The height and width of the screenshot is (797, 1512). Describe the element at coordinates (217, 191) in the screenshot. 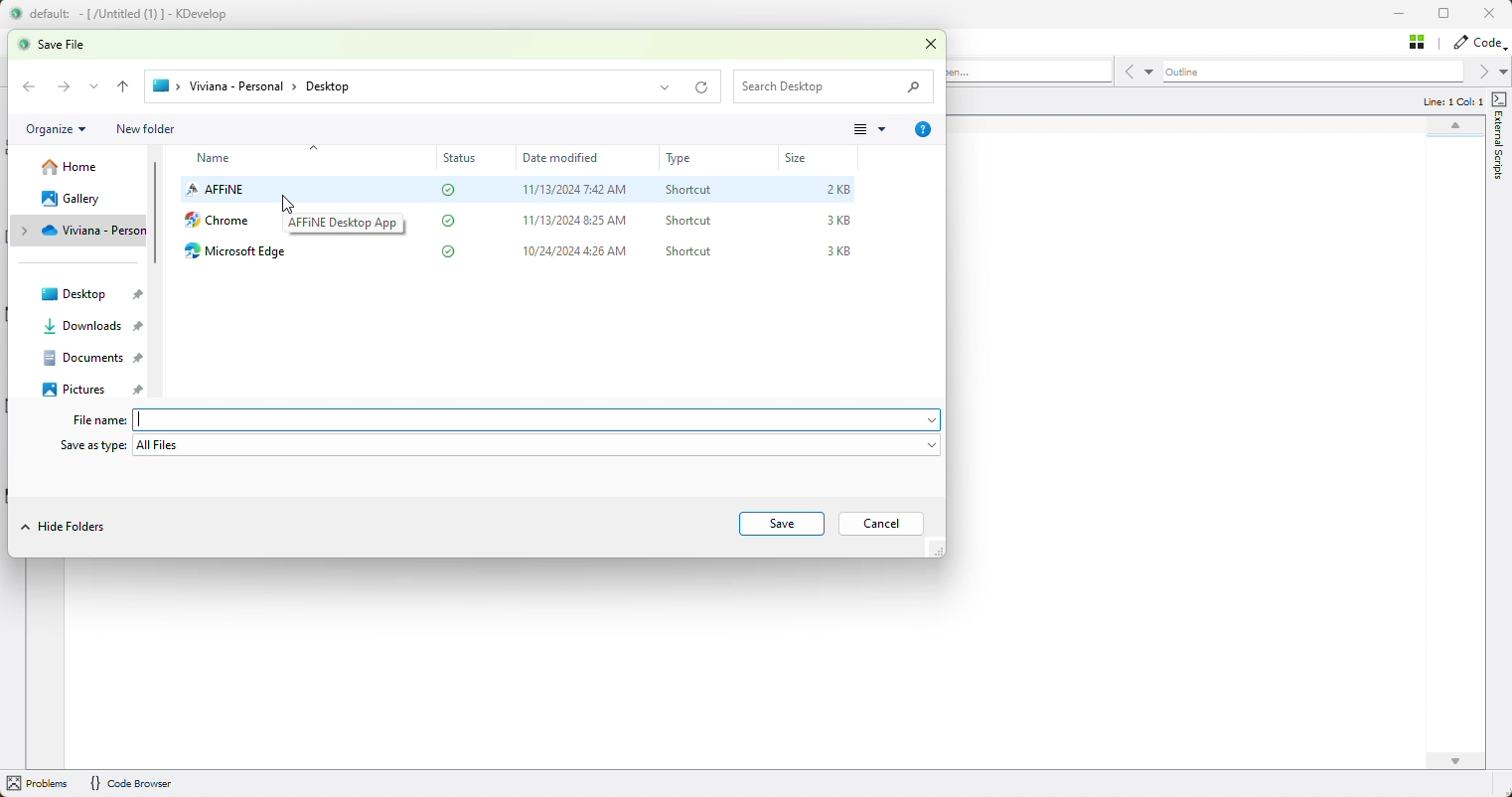

I see `affine` at that location.